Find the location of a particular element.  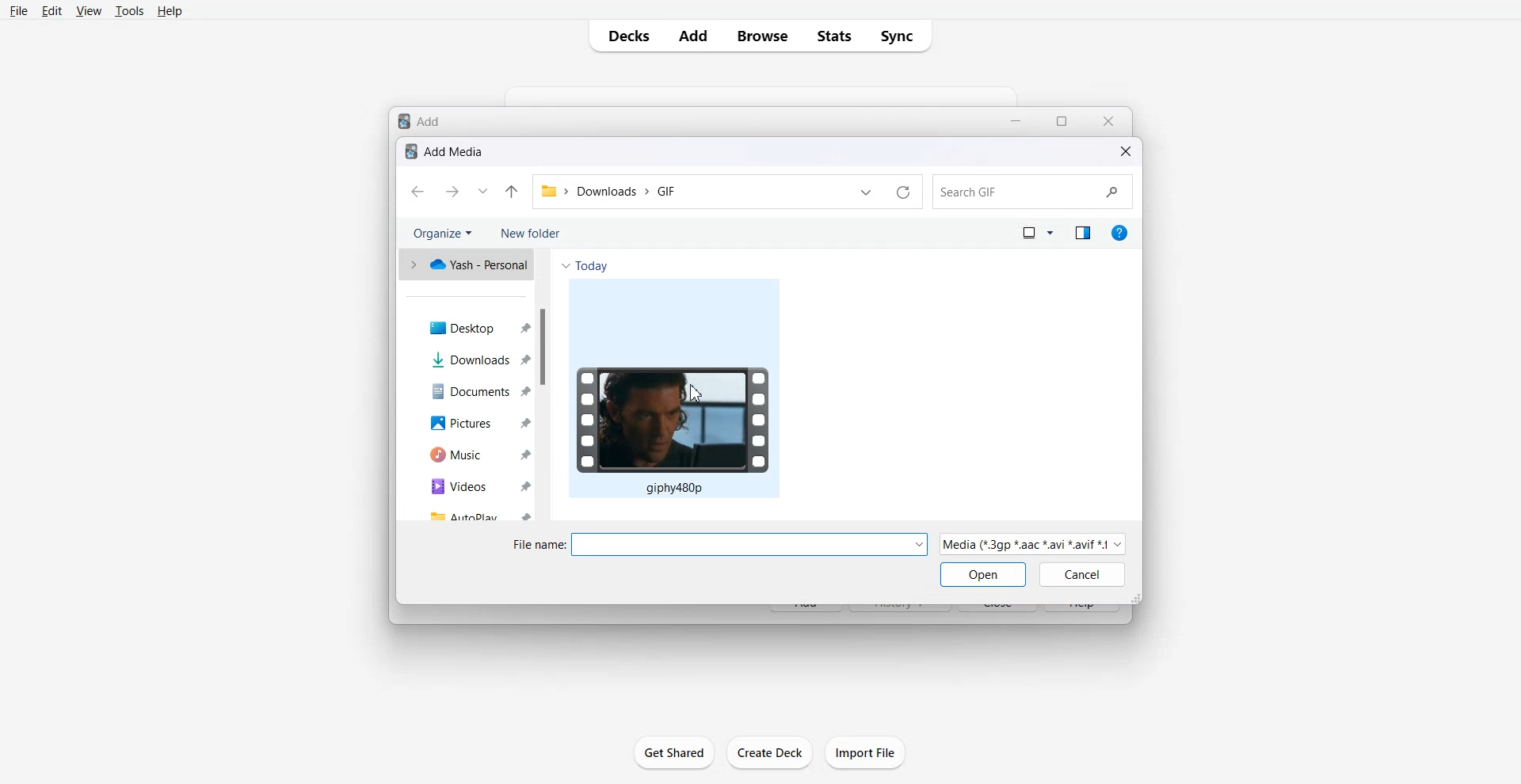

Get help is located at coordinates (1120, 232).